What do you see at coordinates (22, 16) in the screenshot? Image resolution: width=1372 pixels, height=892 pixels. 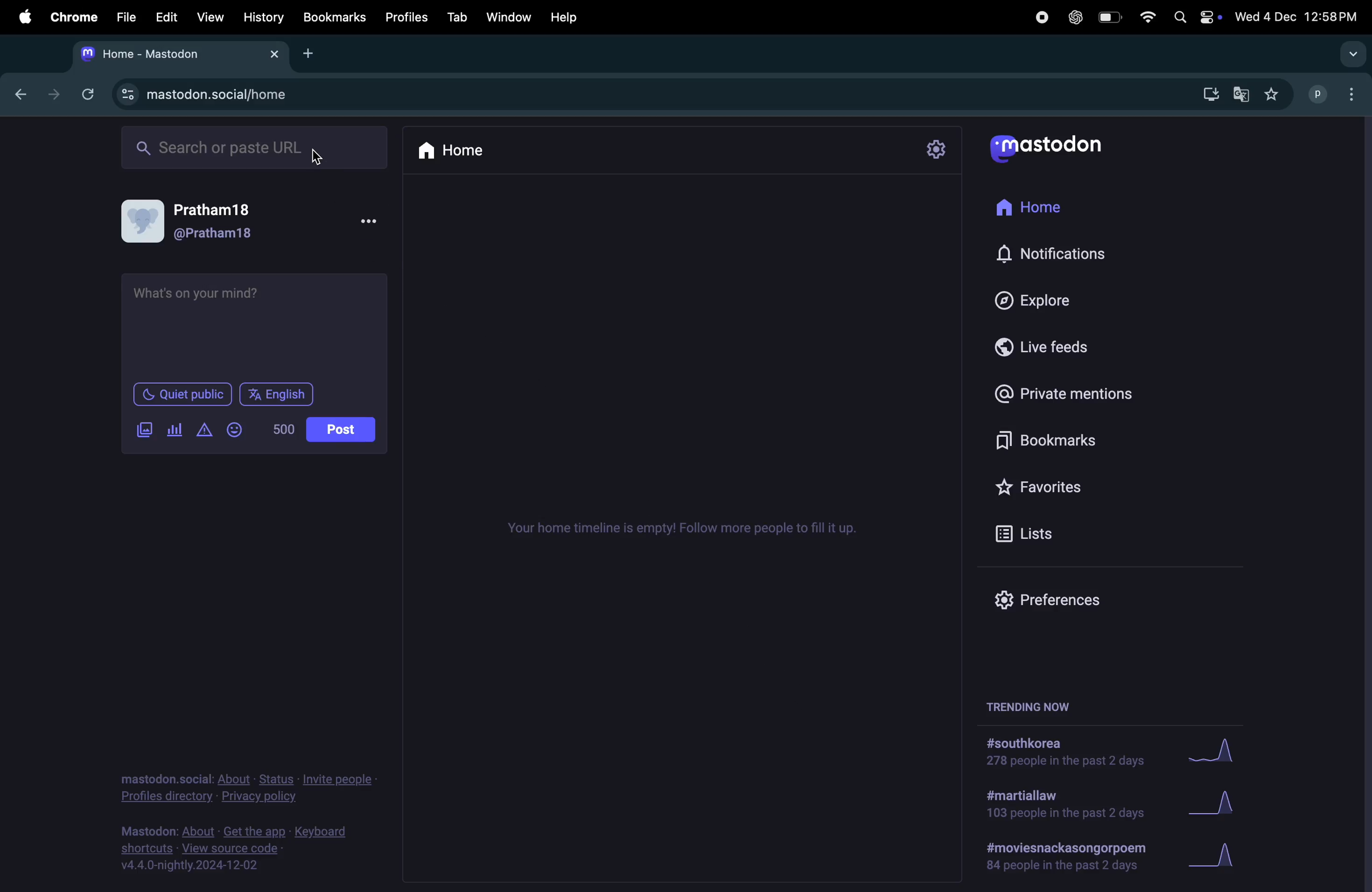 I see `apple enu` at bounding box center [22, 16].